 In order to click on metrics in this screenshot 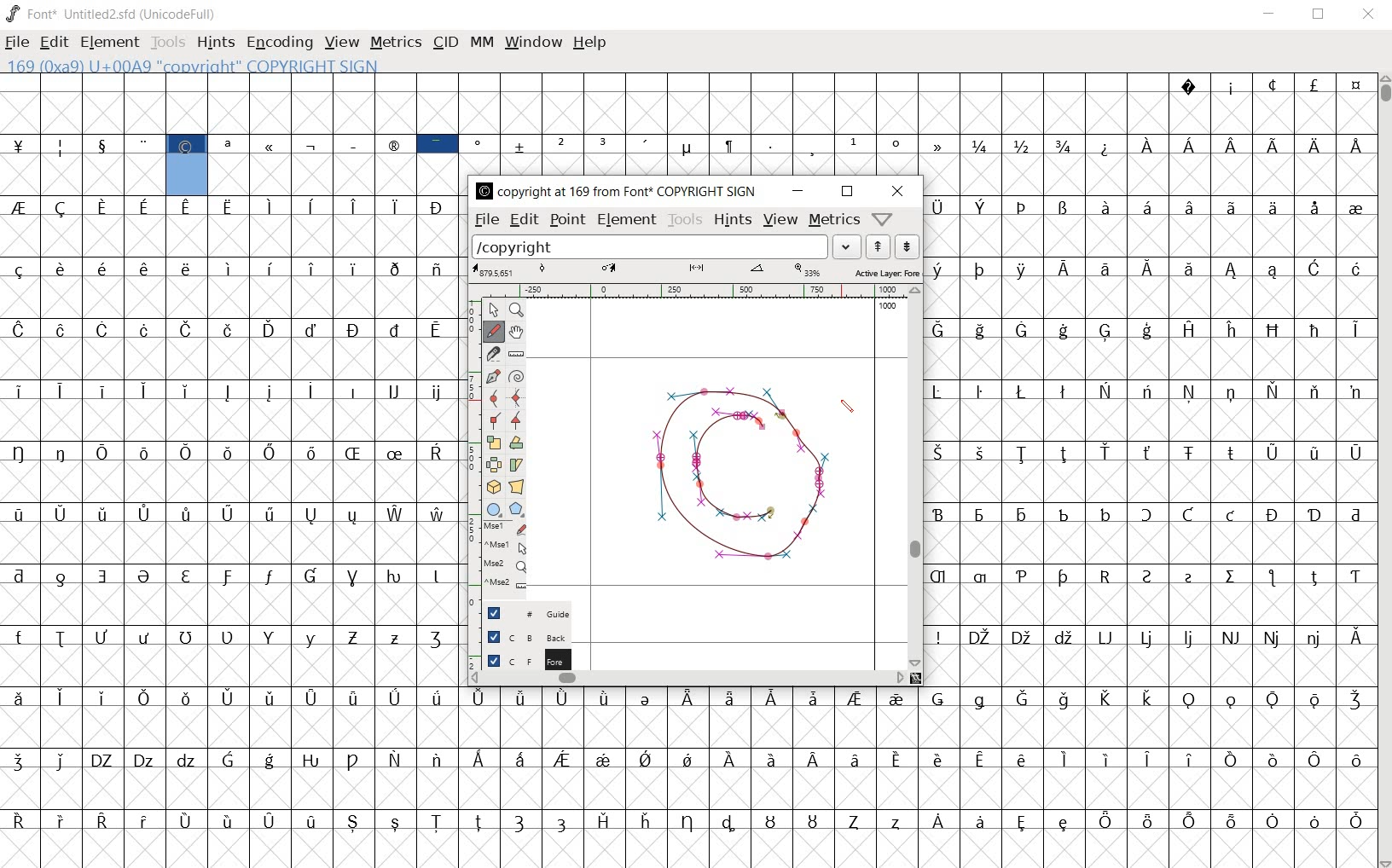, I will do `click(395, 42)`.